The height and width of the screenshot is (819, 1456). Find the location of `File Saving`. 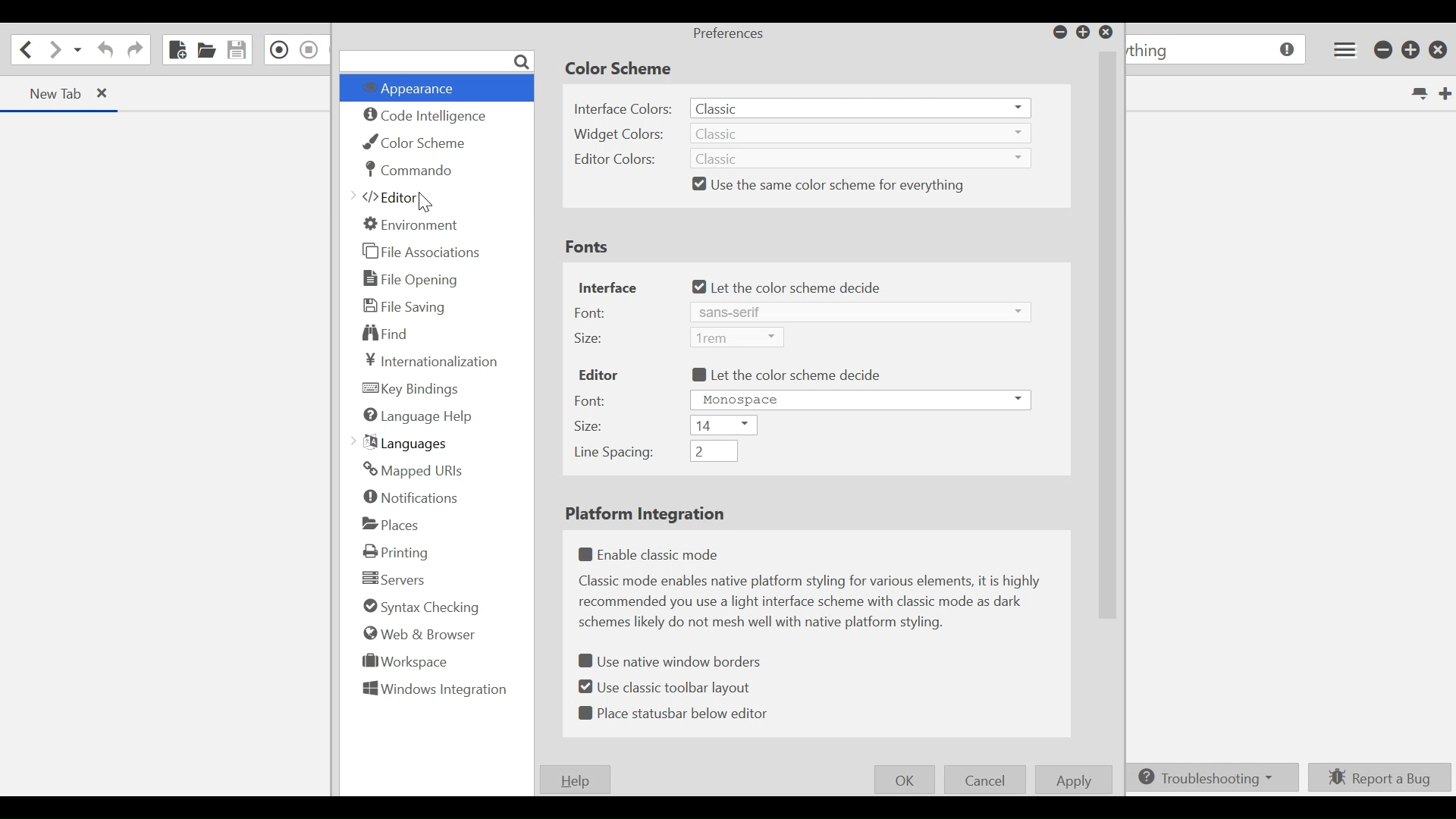

File Saving is located at coordinates (406, 306).